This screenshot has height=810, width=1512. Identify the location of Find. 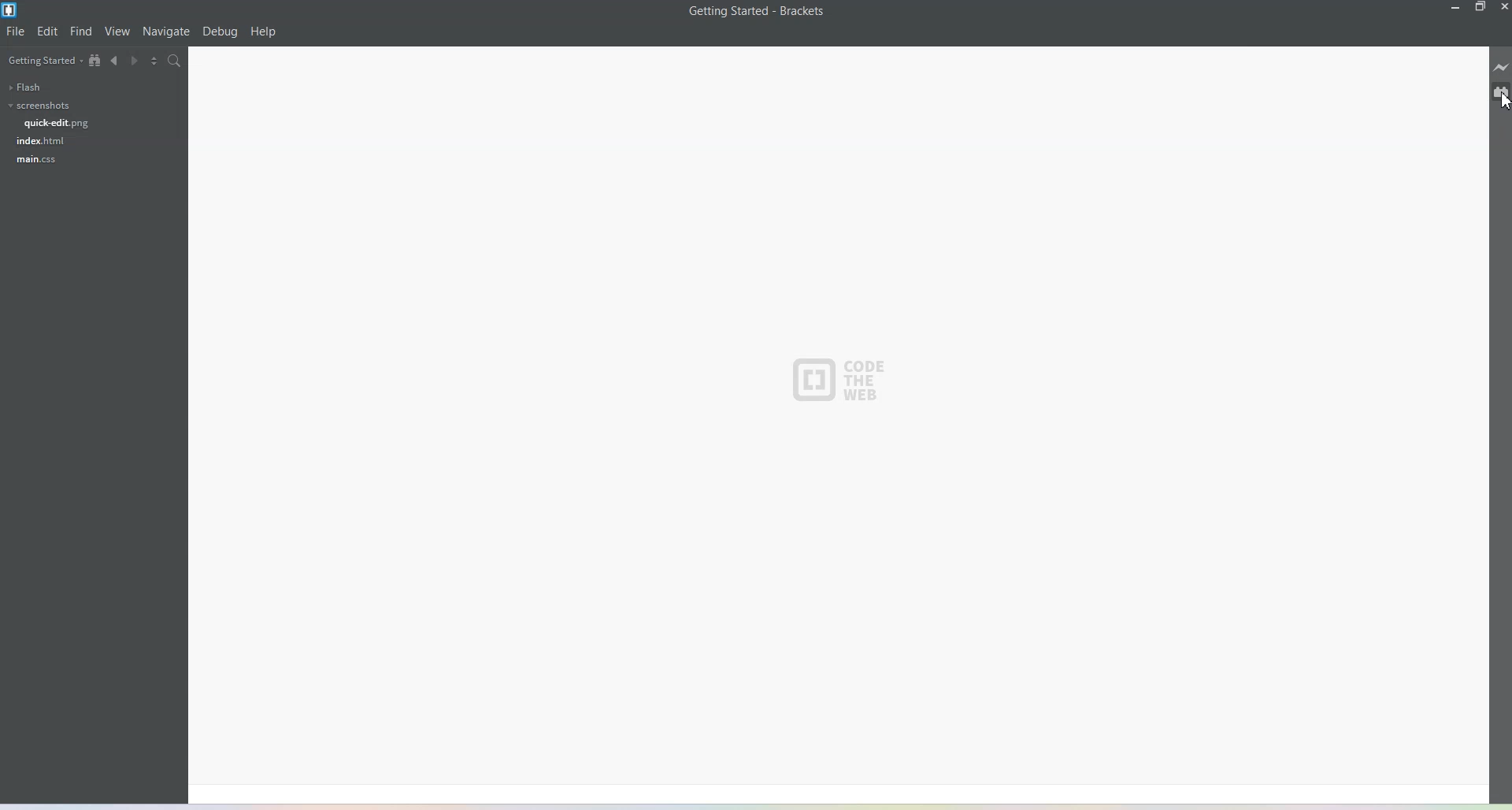
(81, 32).